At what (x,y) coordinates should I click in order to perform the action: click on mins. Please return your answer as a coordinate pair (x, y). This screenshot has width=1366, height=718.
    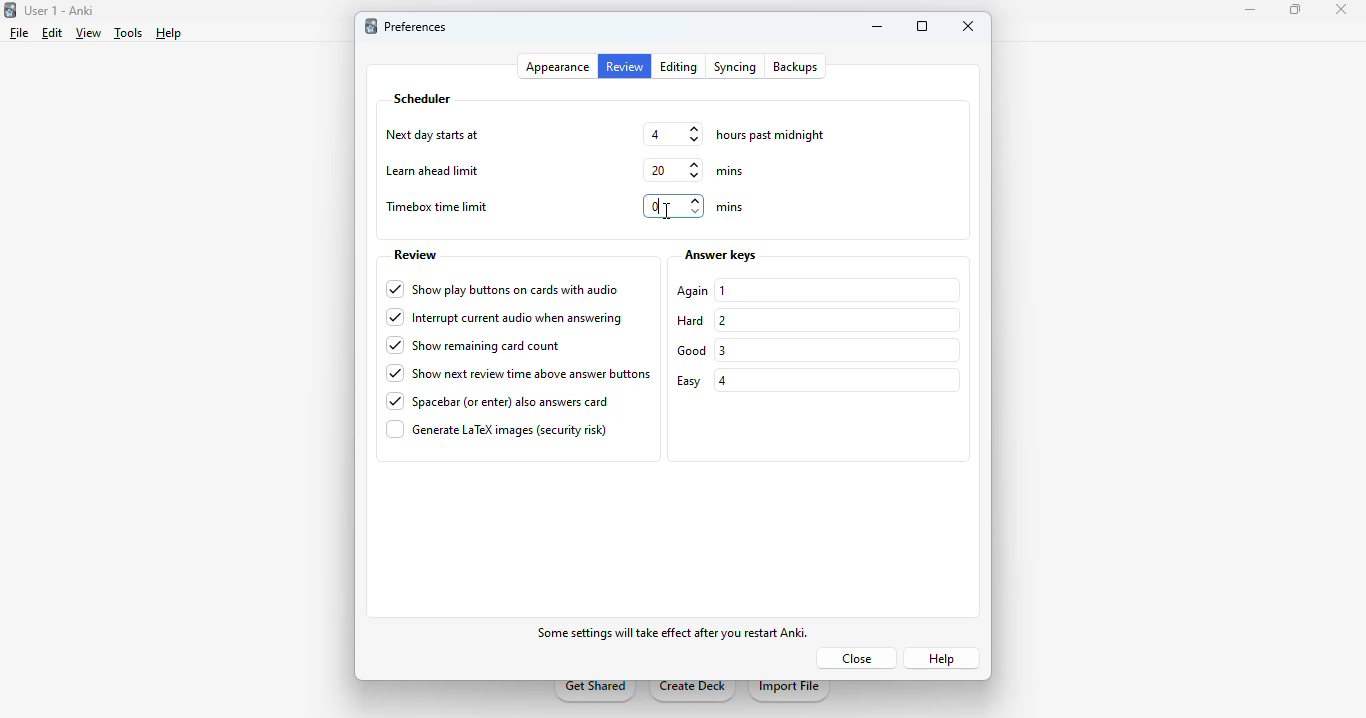
    Looking at the image, I should click on (731, 171).